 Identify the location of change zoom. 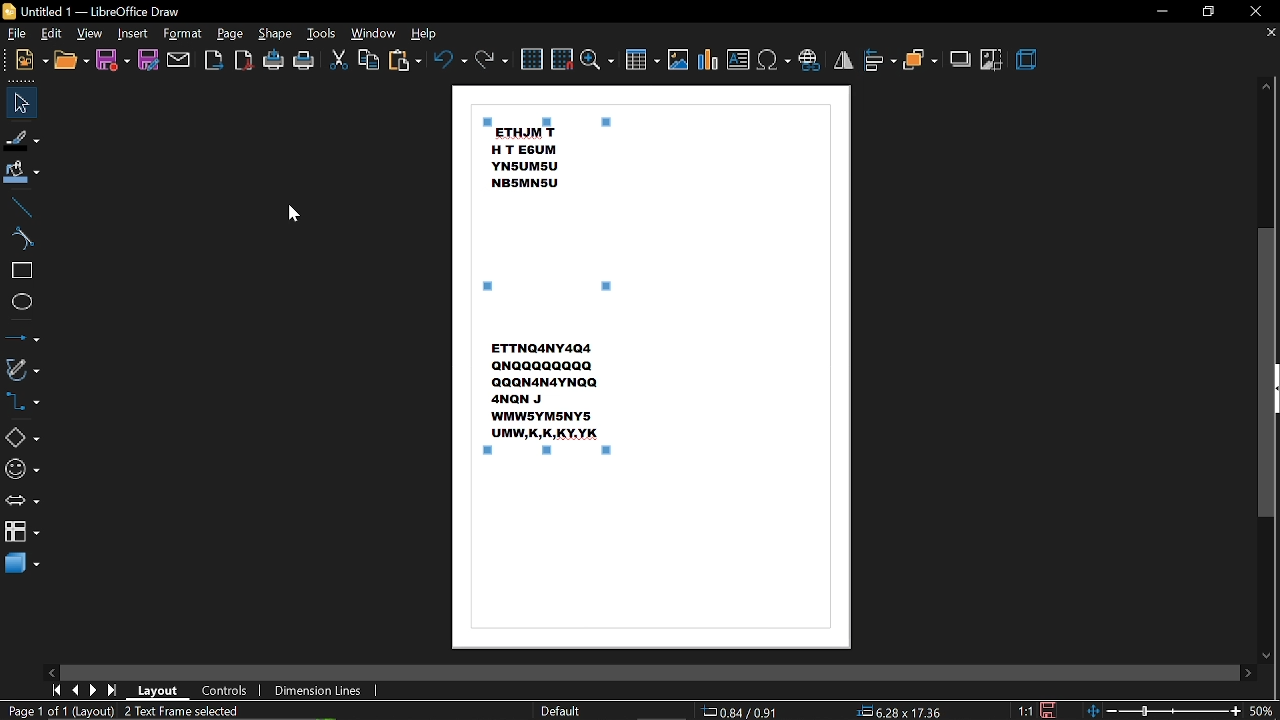
(1164, 712).